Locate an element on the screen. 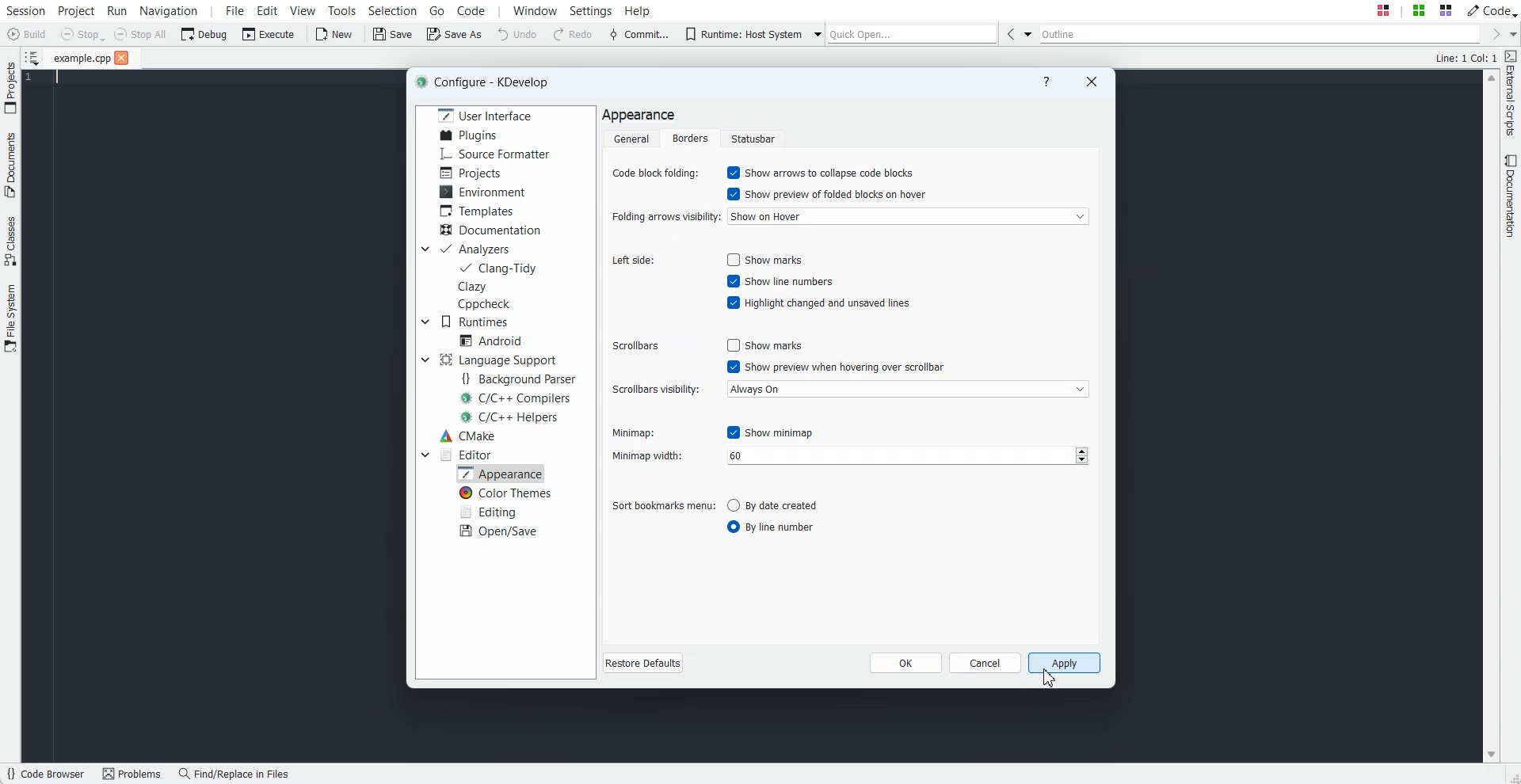  Session is located at coordinates (25, 10).